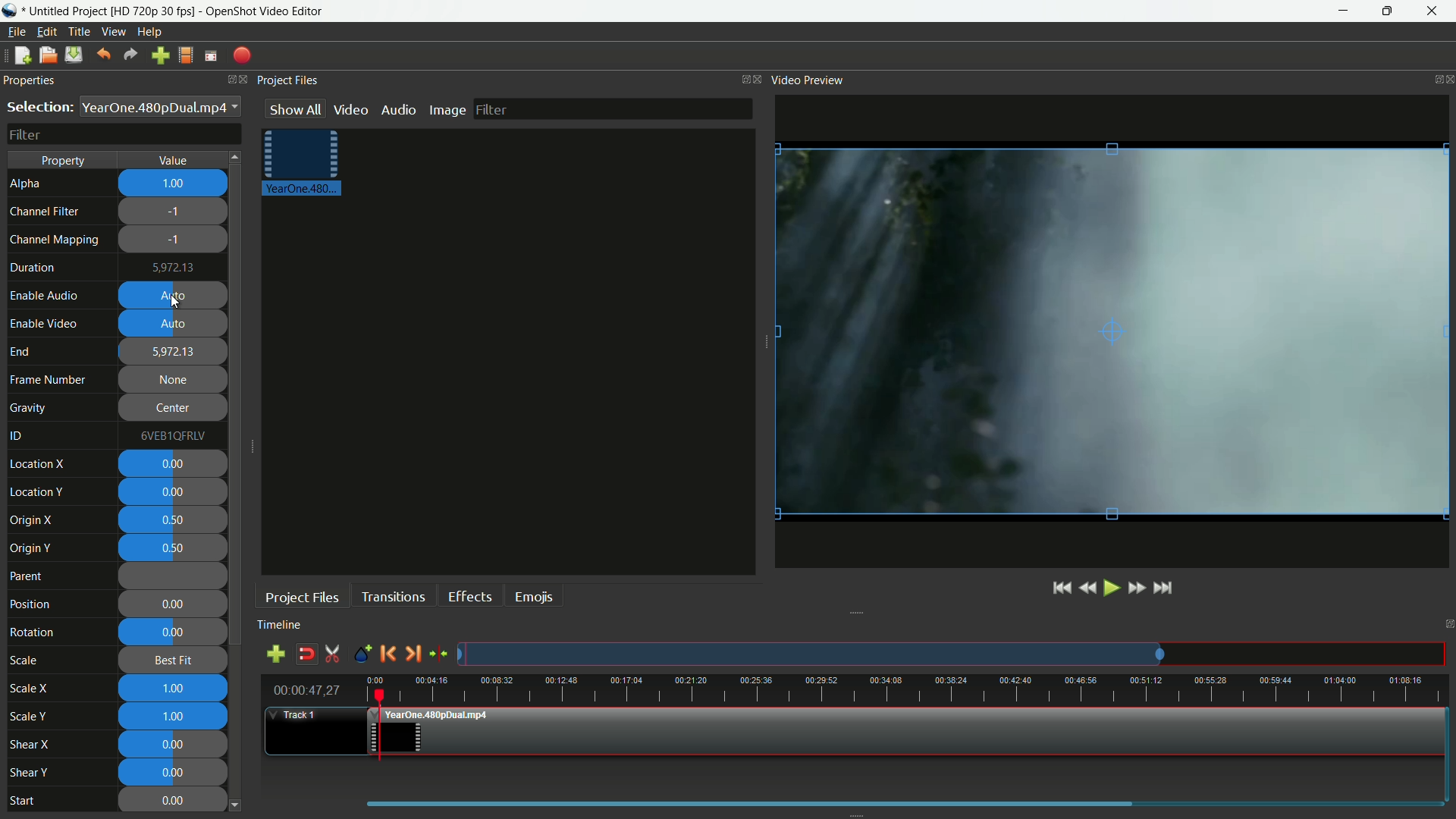  I want to click on video preview, so click(808, 80).